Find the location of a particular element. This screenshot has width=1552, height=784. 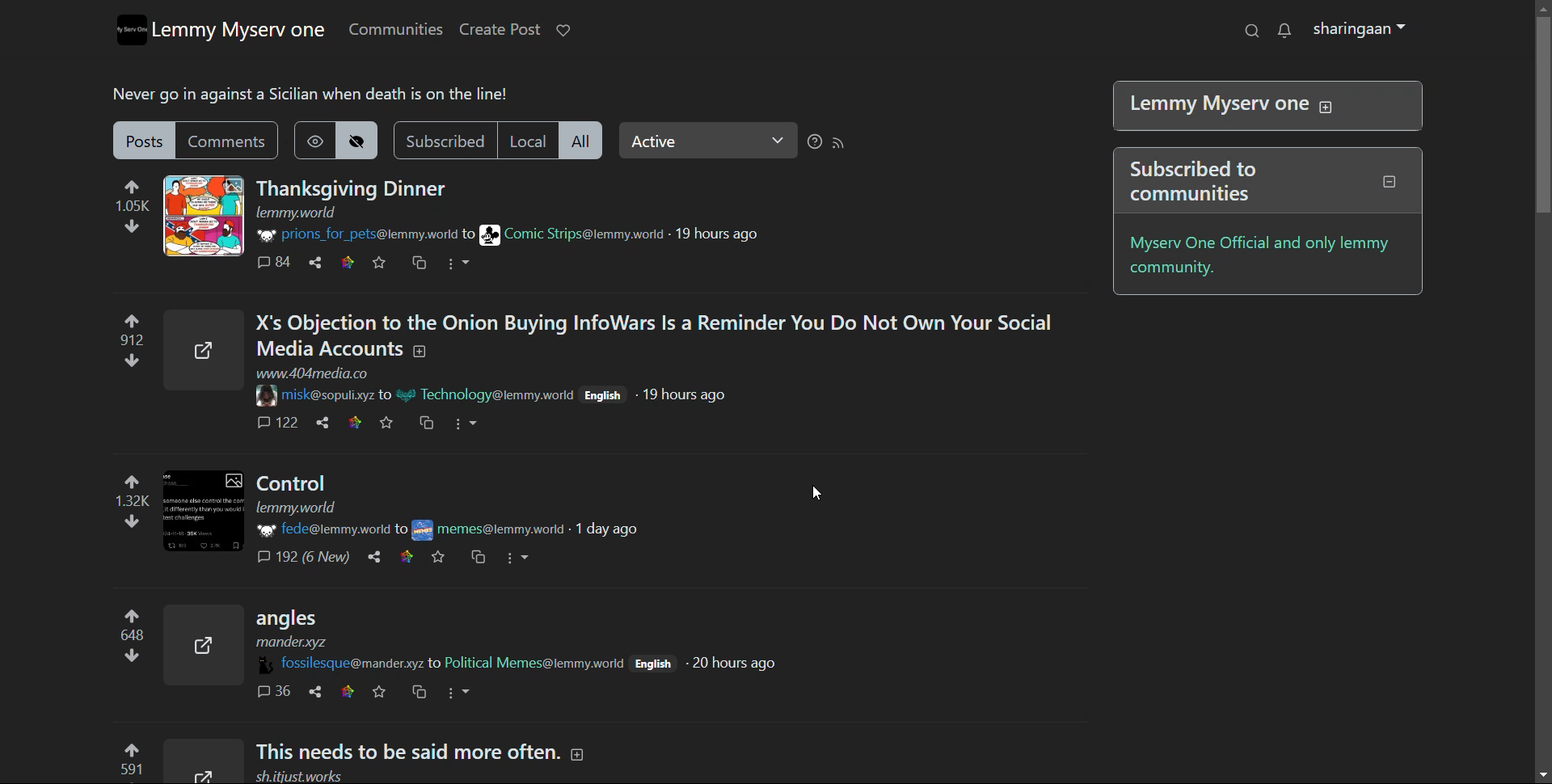

posts is located at coordinates (145, 140).